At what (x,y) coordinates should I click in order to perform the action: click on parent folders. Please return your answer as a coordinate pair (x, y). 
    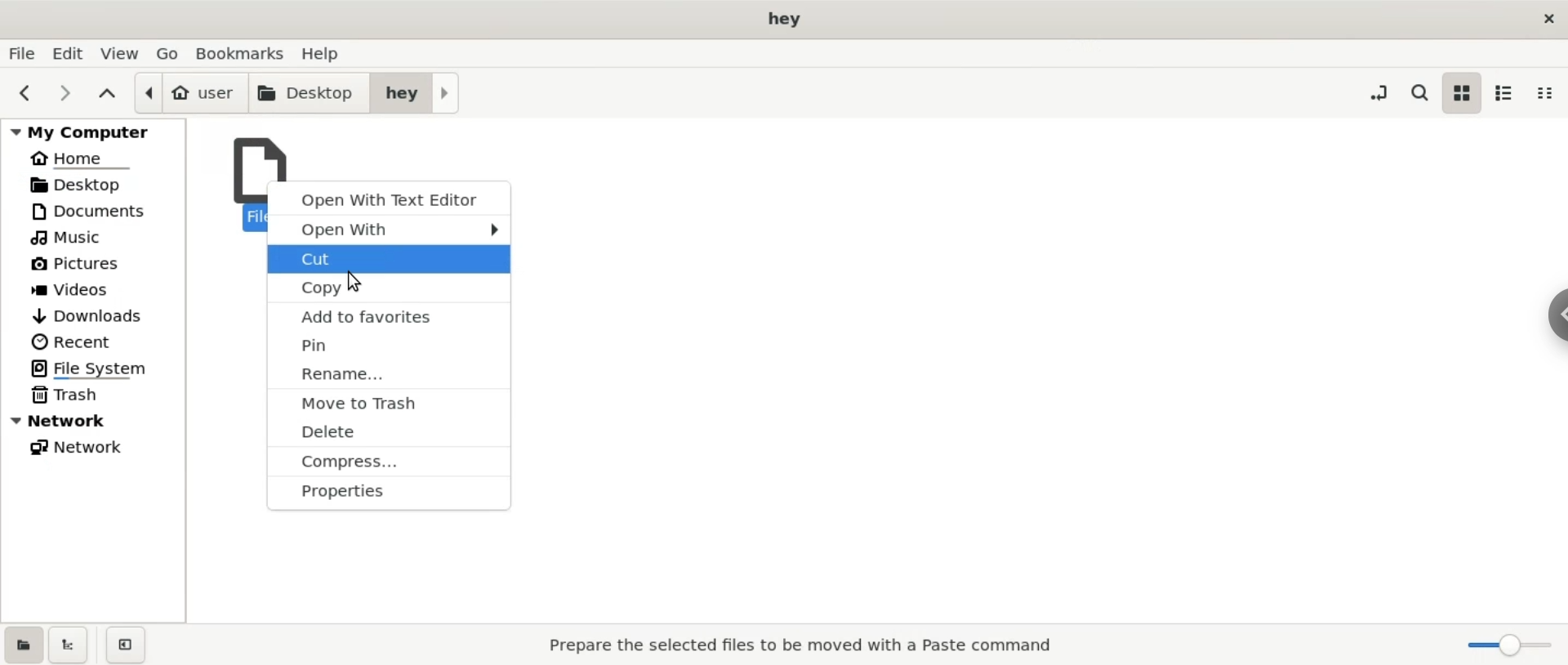
    Looking at the image, I should click on (105, 94).